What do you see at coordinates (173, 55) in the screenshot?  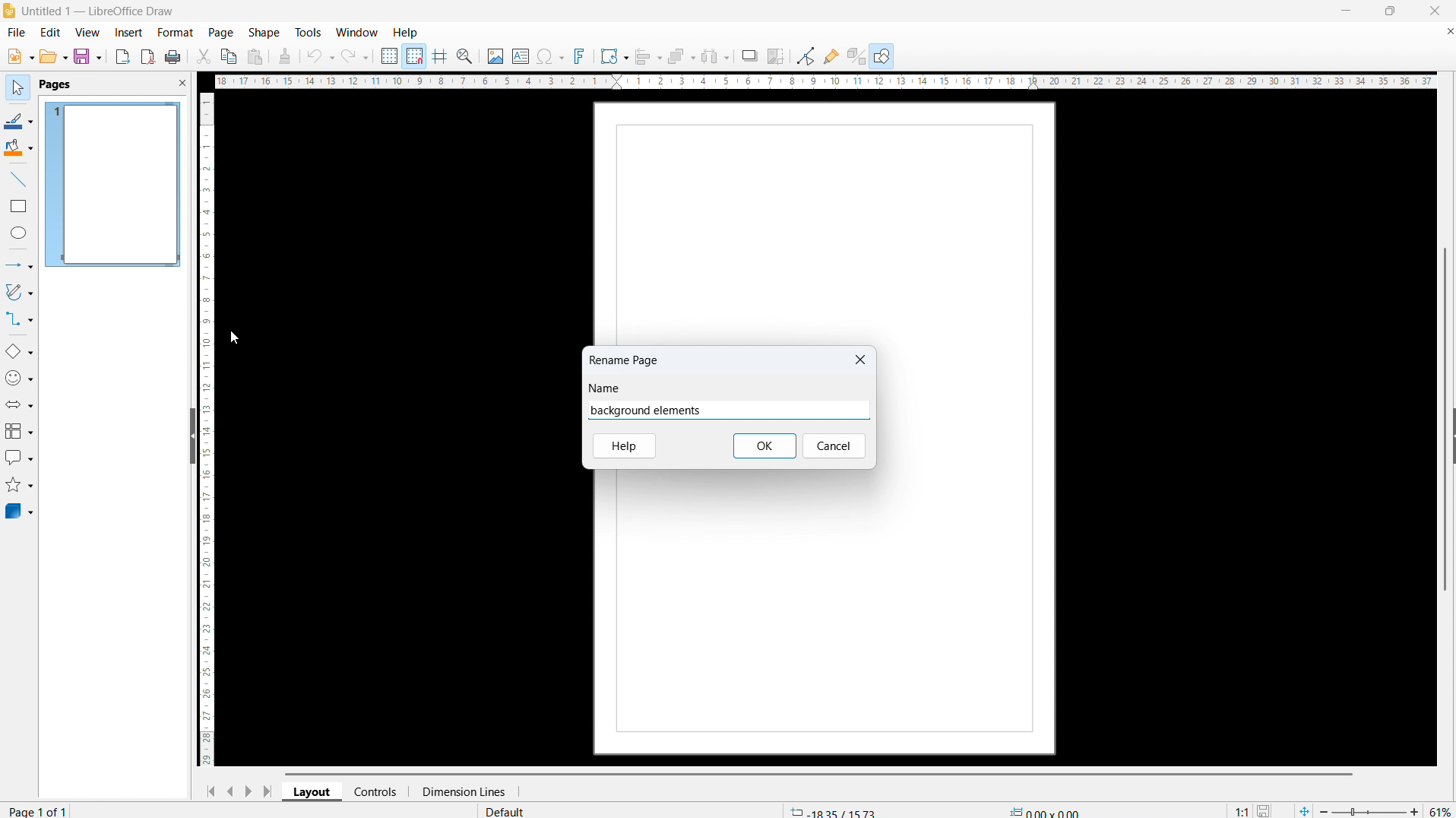 I see `print` at bounding box center [173, 55].